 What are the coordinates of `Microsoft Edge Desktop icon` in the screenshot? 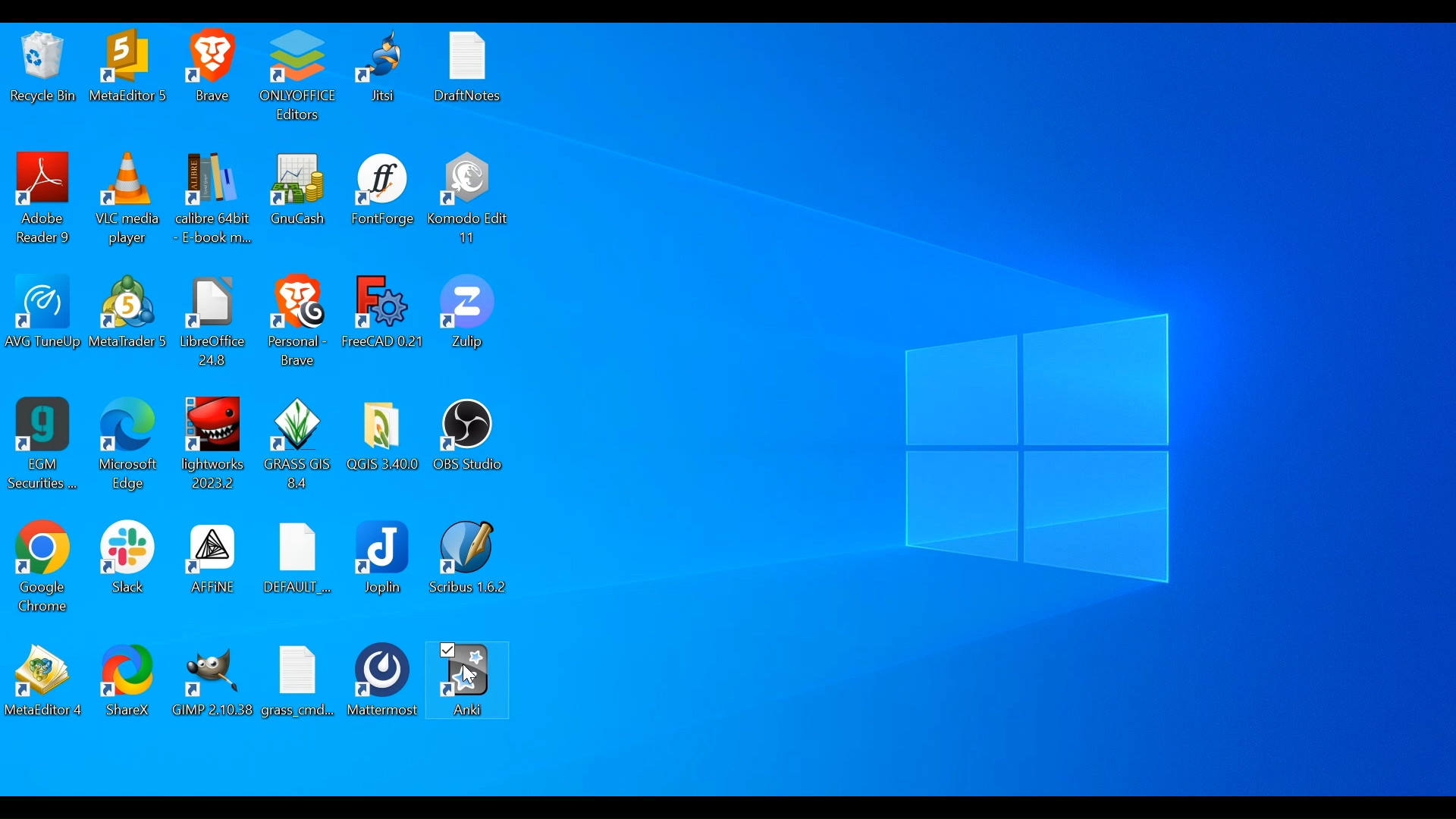 It's located at (130, 444).